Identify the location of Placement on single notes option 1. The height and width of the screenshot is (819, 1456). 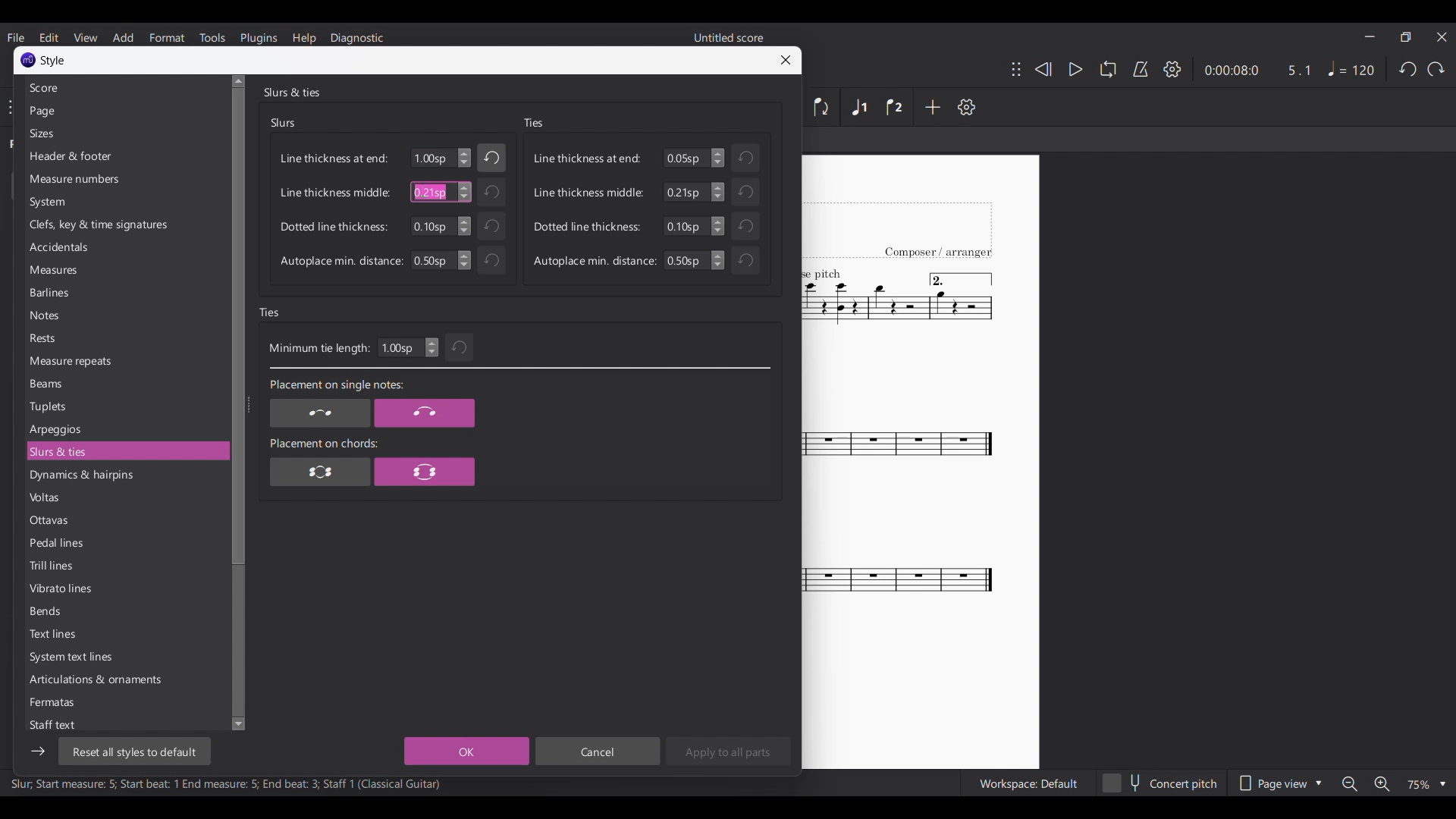
(319, 413).